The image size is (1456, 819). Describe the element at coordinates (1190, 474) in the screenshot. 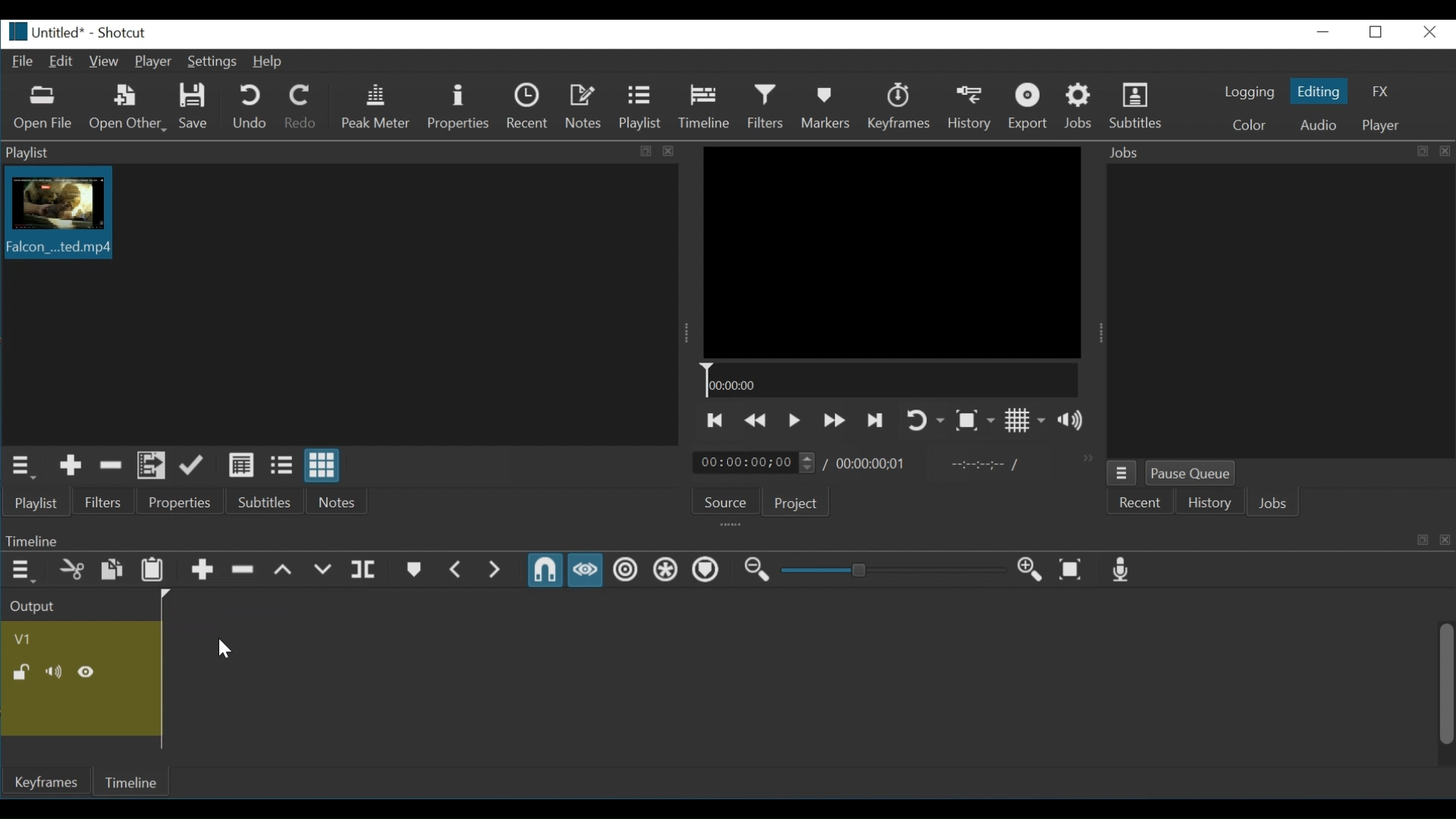

I see `Pause Queue` at that location.